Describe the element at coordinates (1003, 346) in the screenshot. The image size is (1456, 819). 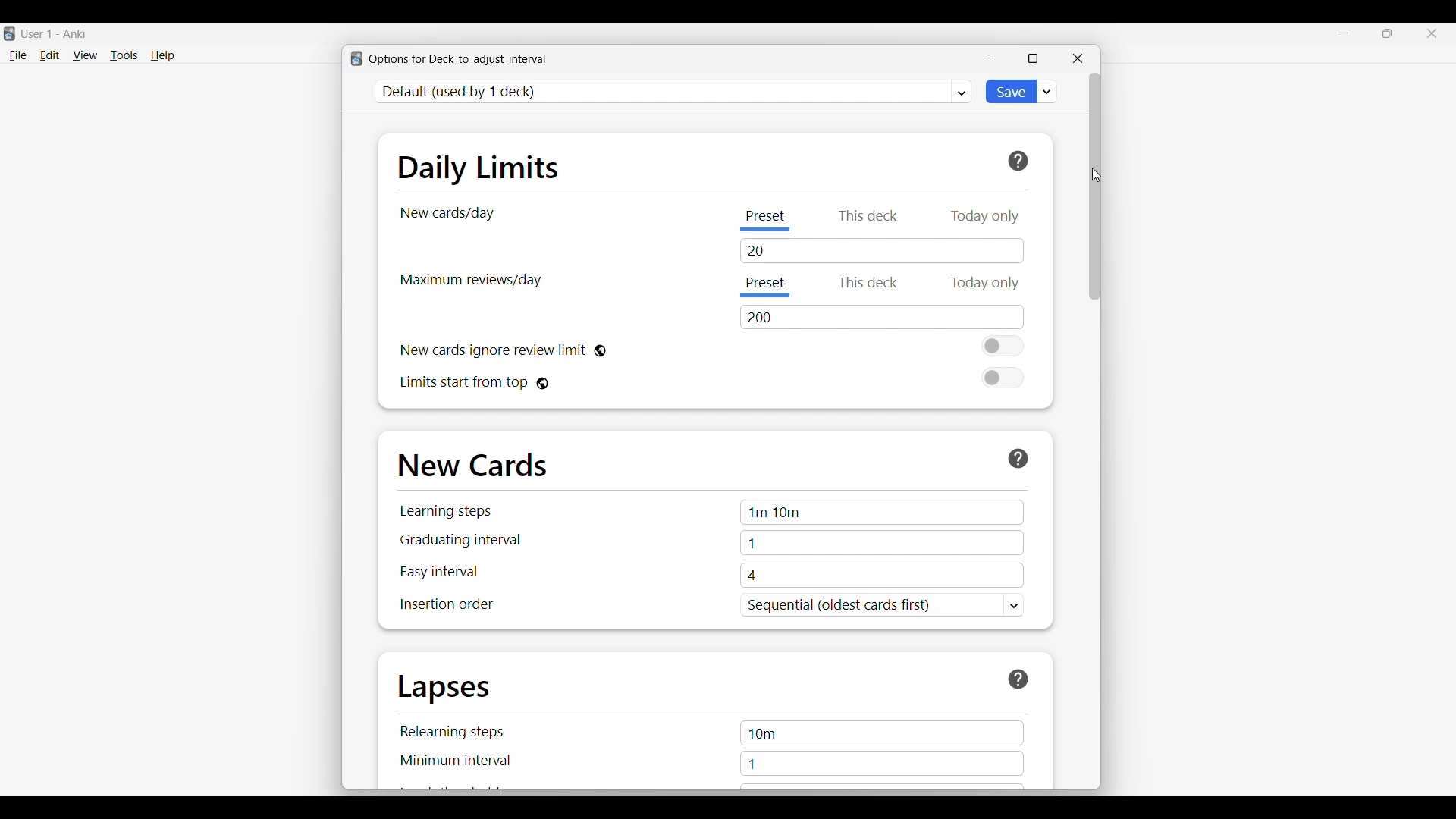
I see `Toggle to not have a review limit for new cards` at that location.